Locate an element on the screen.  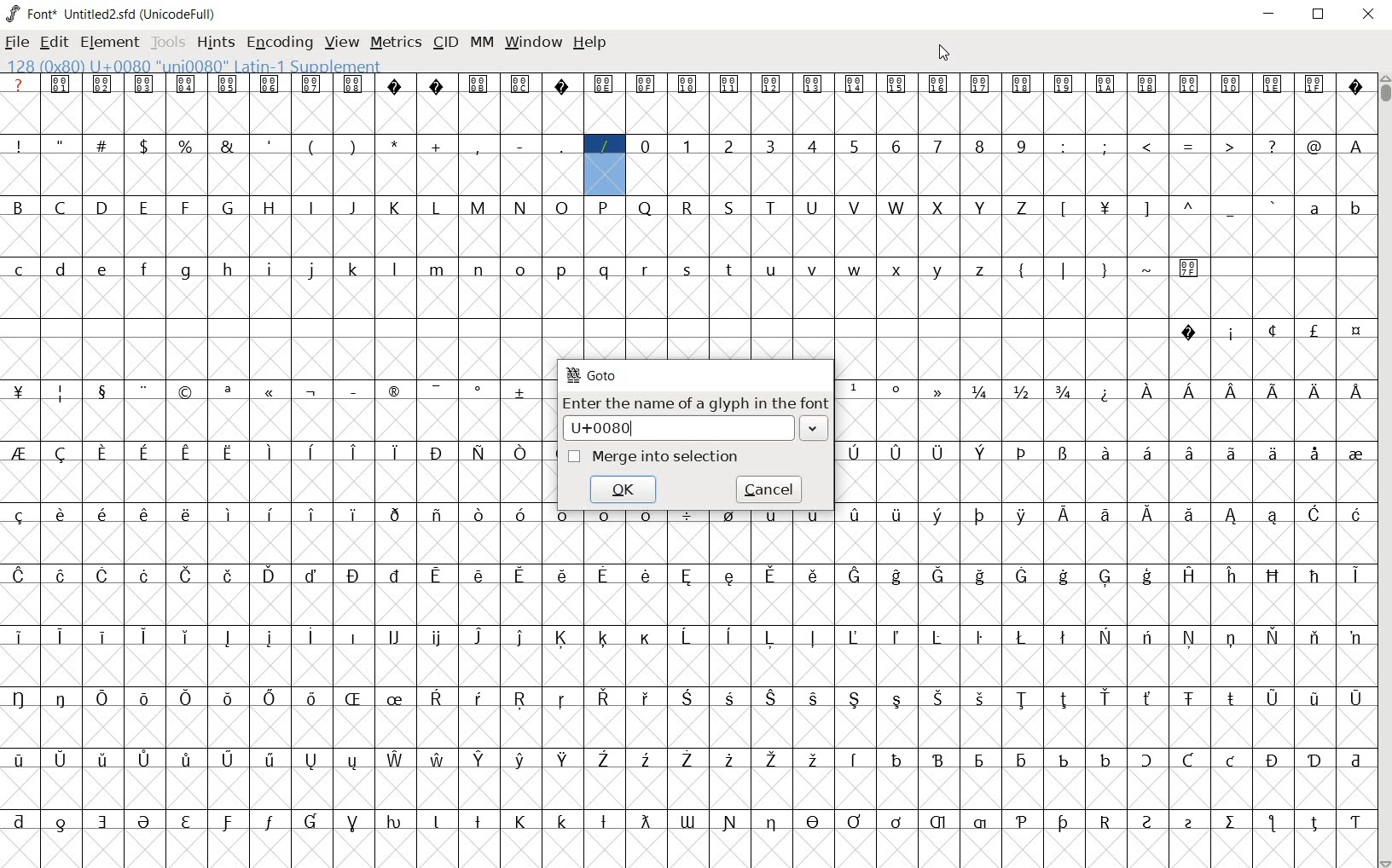
glyph is located at coordinates (1356, 147).